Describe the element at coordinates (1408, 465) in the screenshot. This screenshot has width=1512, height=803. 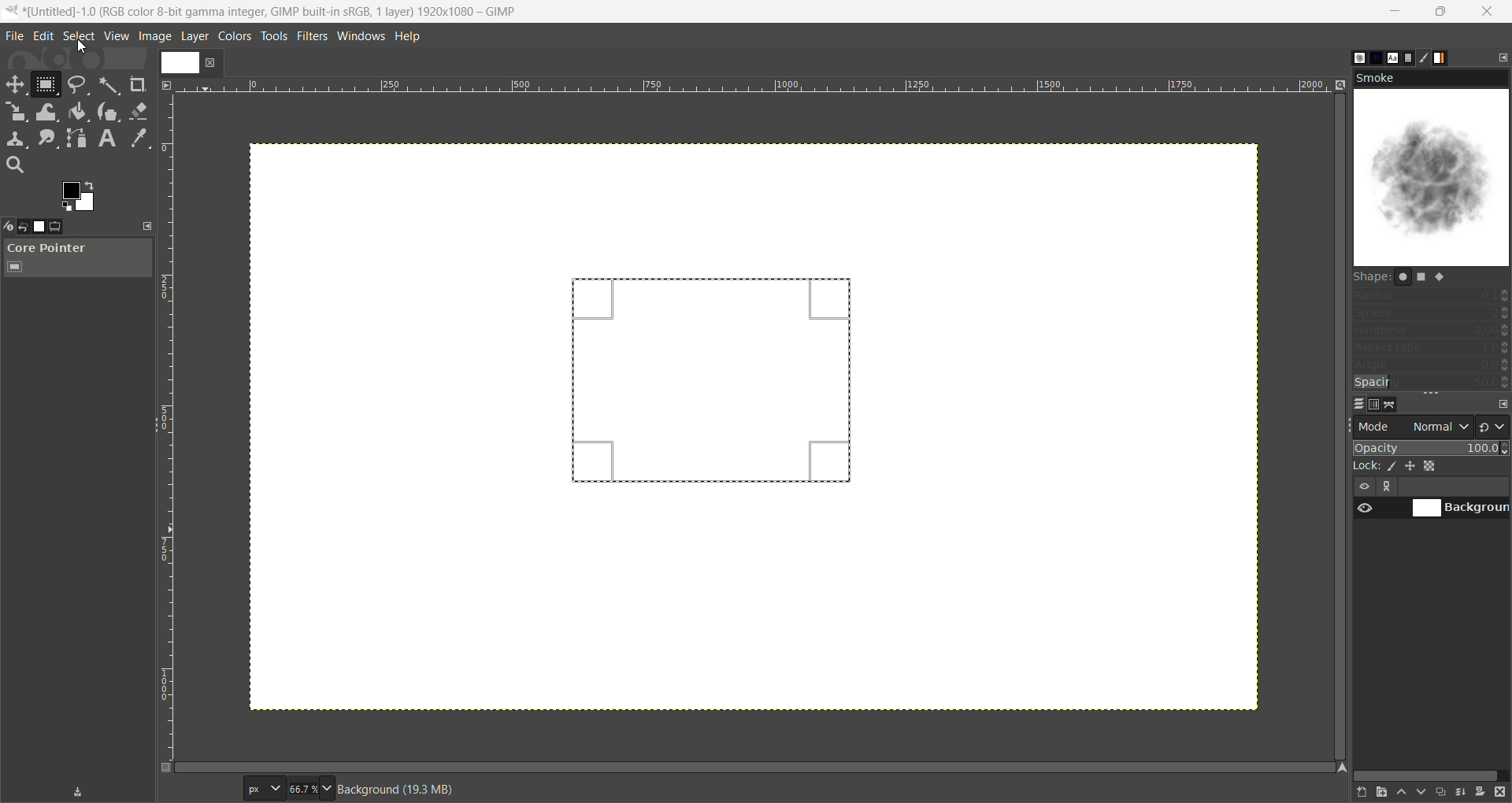
I see `lock position and size` at that location.